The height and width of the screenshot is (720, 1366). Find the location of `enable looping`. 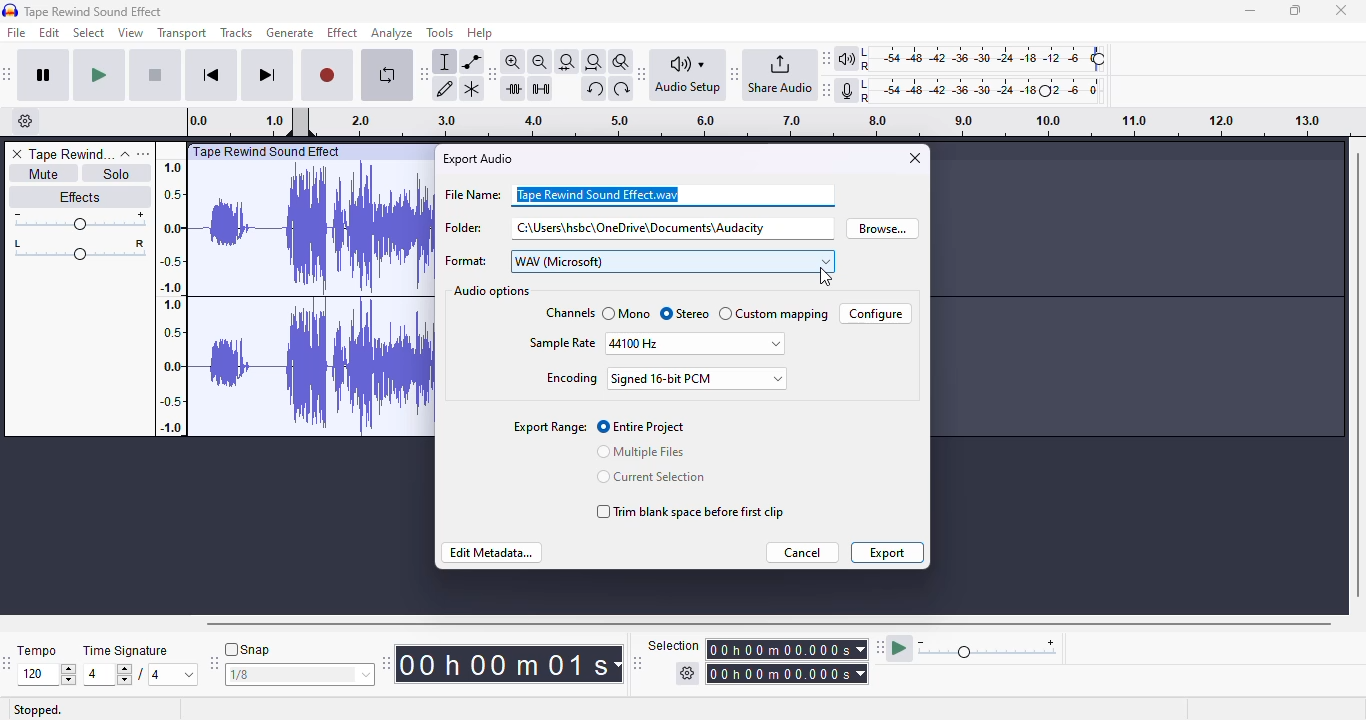

enable looping is located at coordinates (387, 75).